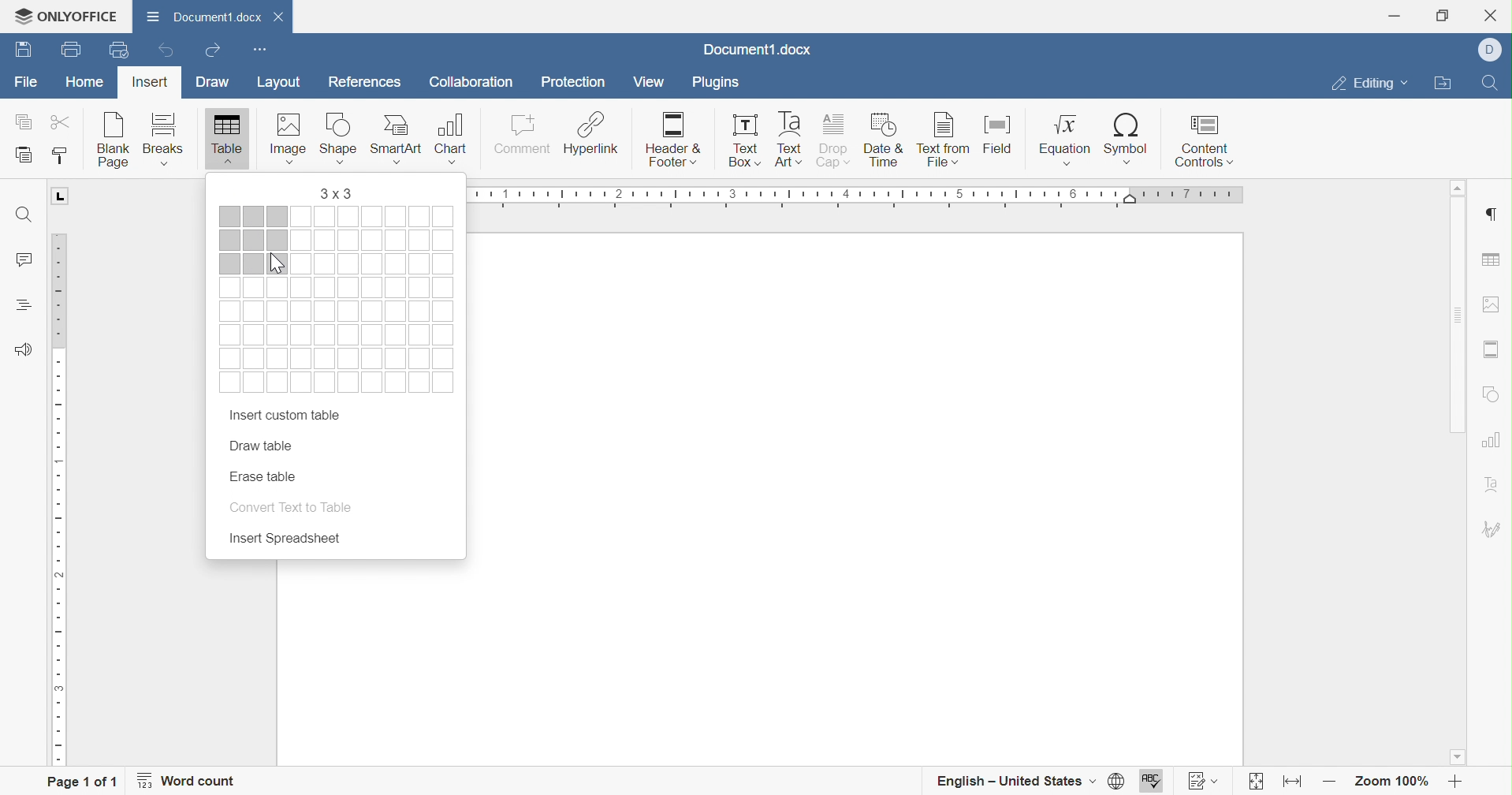 The height and width of the screenshot is (795, 1512). I want to click on Minimize, so click(1400, 15).